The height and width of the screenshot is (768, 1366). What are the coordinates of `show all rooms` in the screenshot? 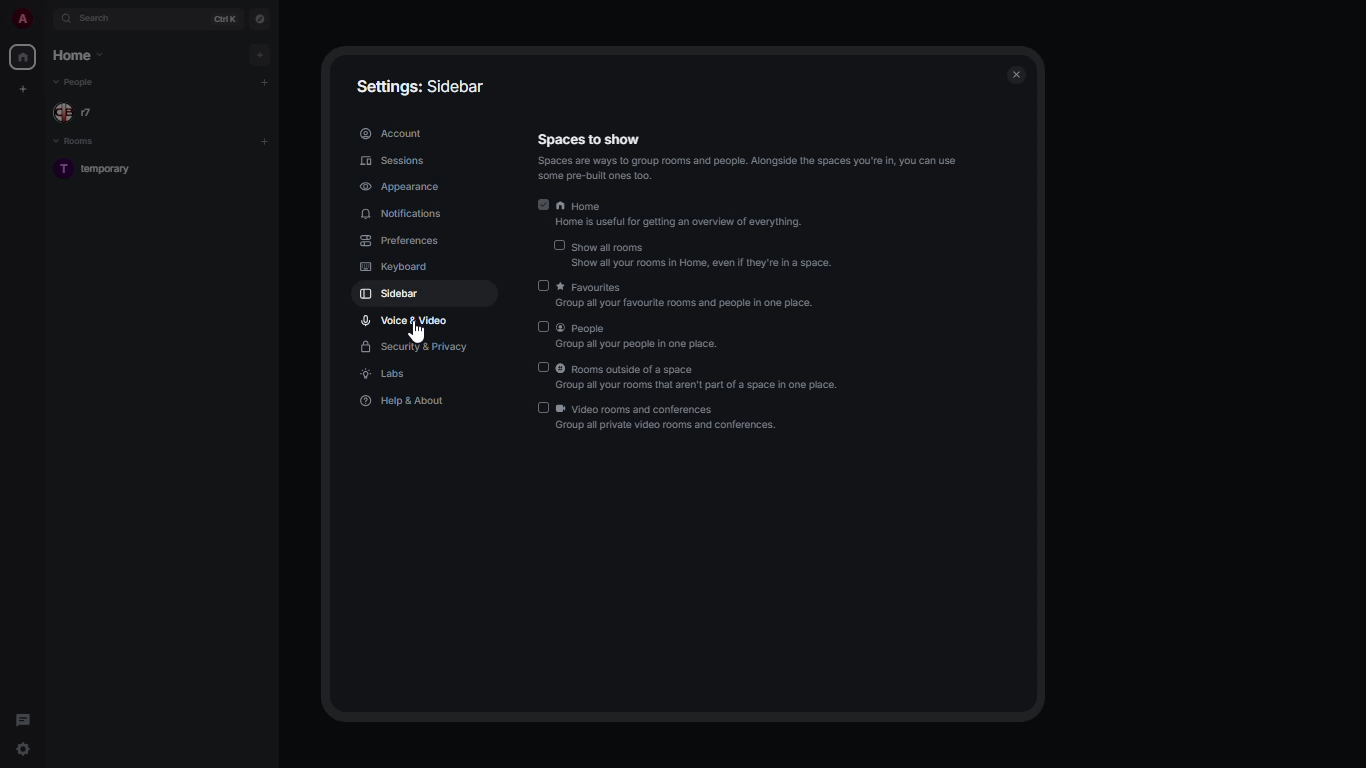 It's located at (702, 255).